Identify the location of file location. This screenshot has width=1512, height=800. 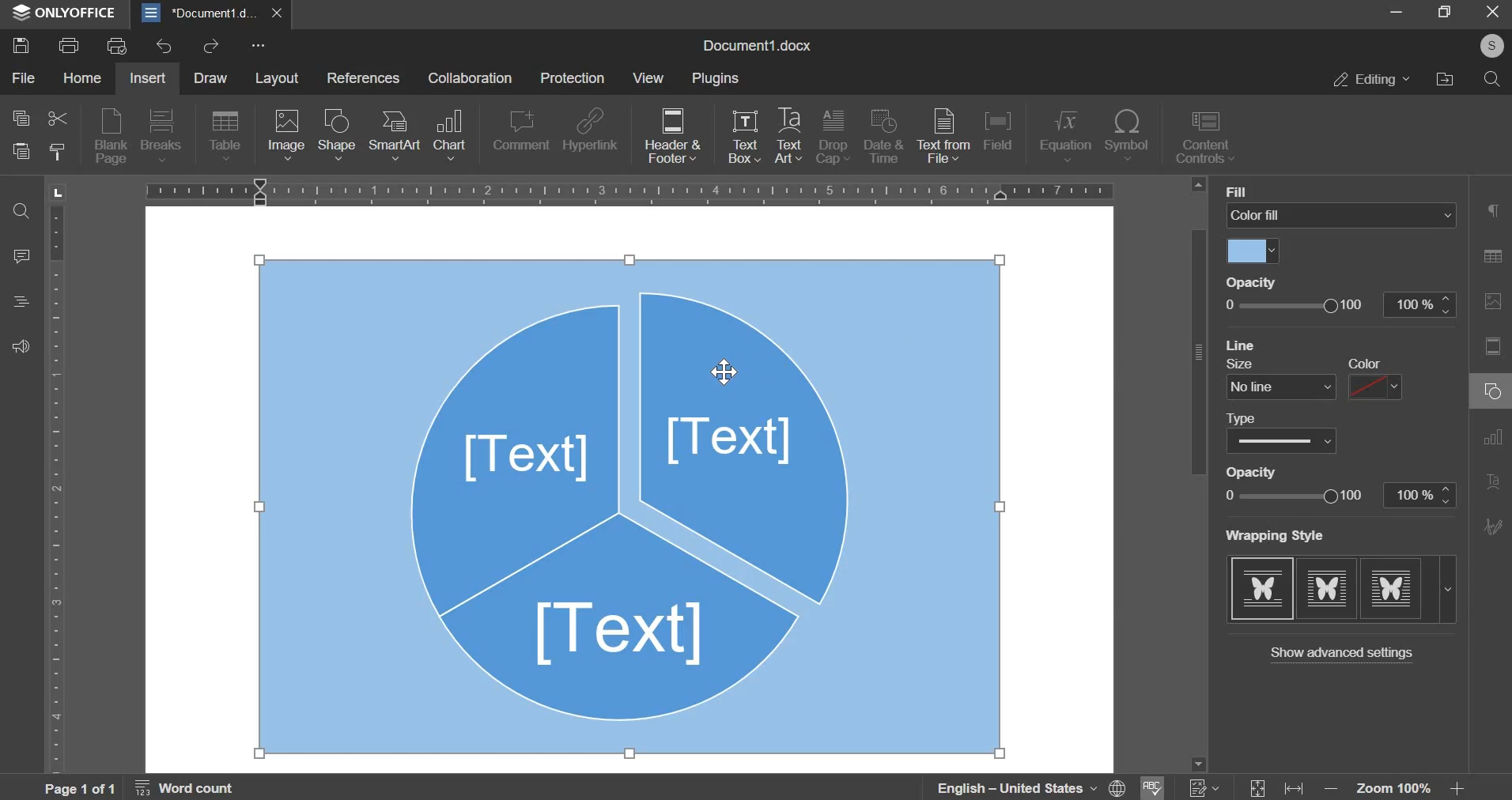
(1445, 78).